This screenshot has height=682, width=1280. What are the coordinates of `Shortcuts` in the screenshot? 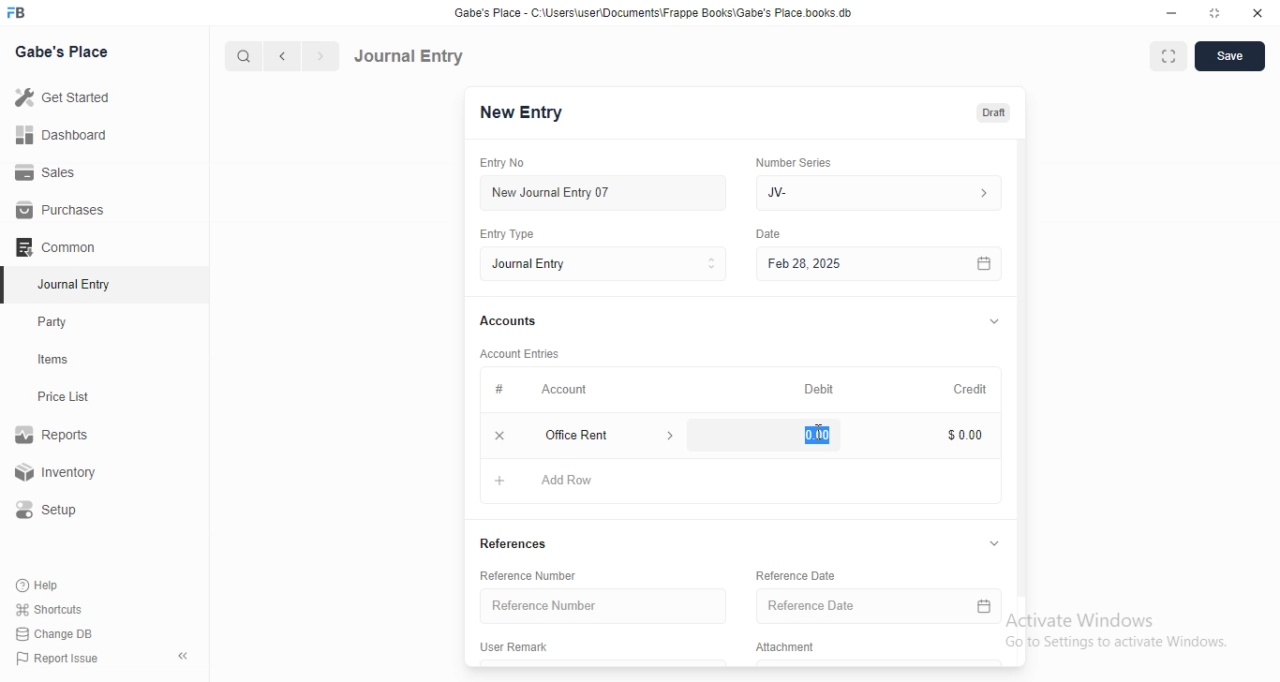 It's located at (49, 608).